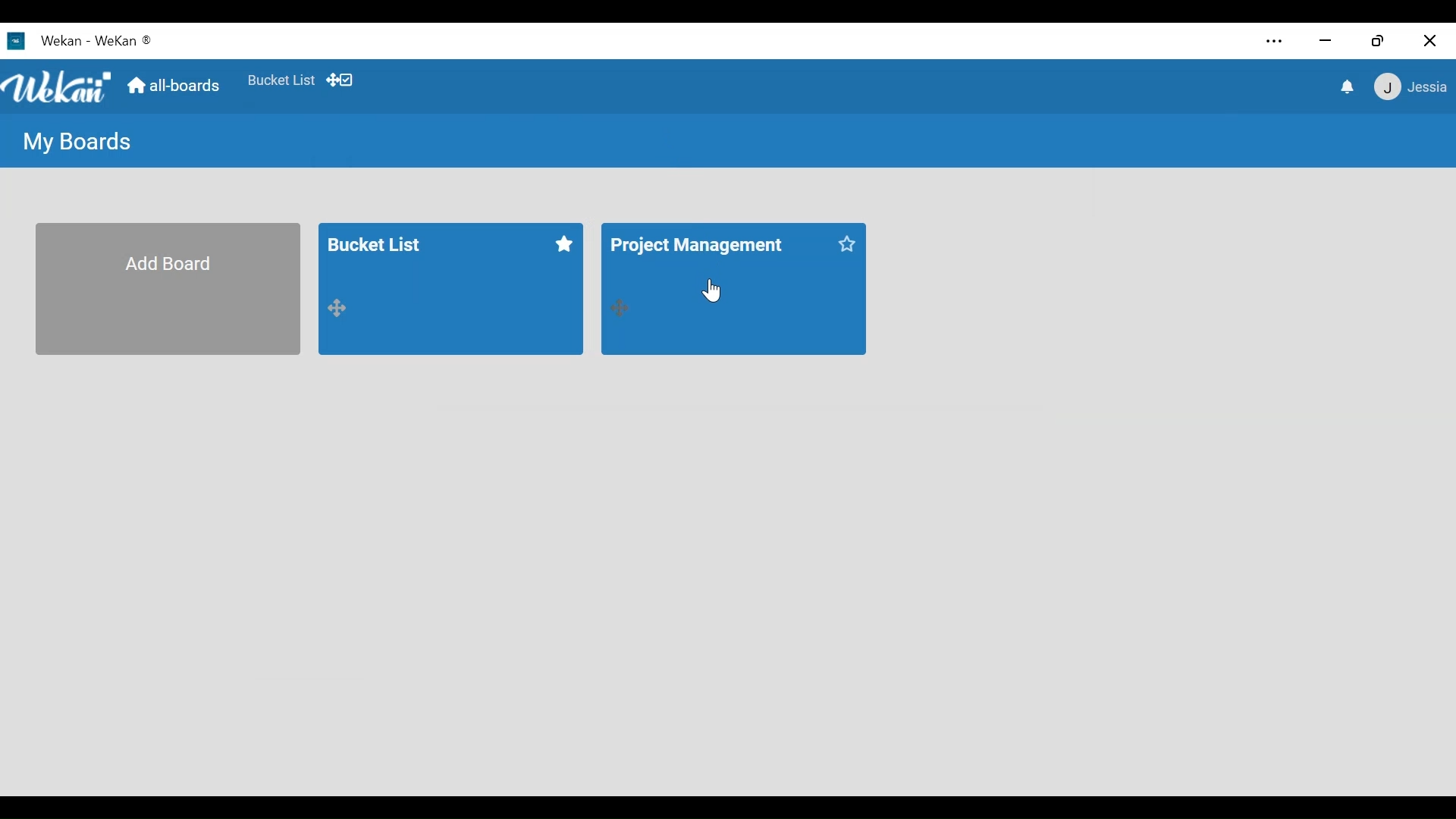 The width and height of the screenshot is (1456, 819). What do you see at coordinates (14, 40) in the screenshot?
I see `wekan icon` at bounding box center [14, 40].